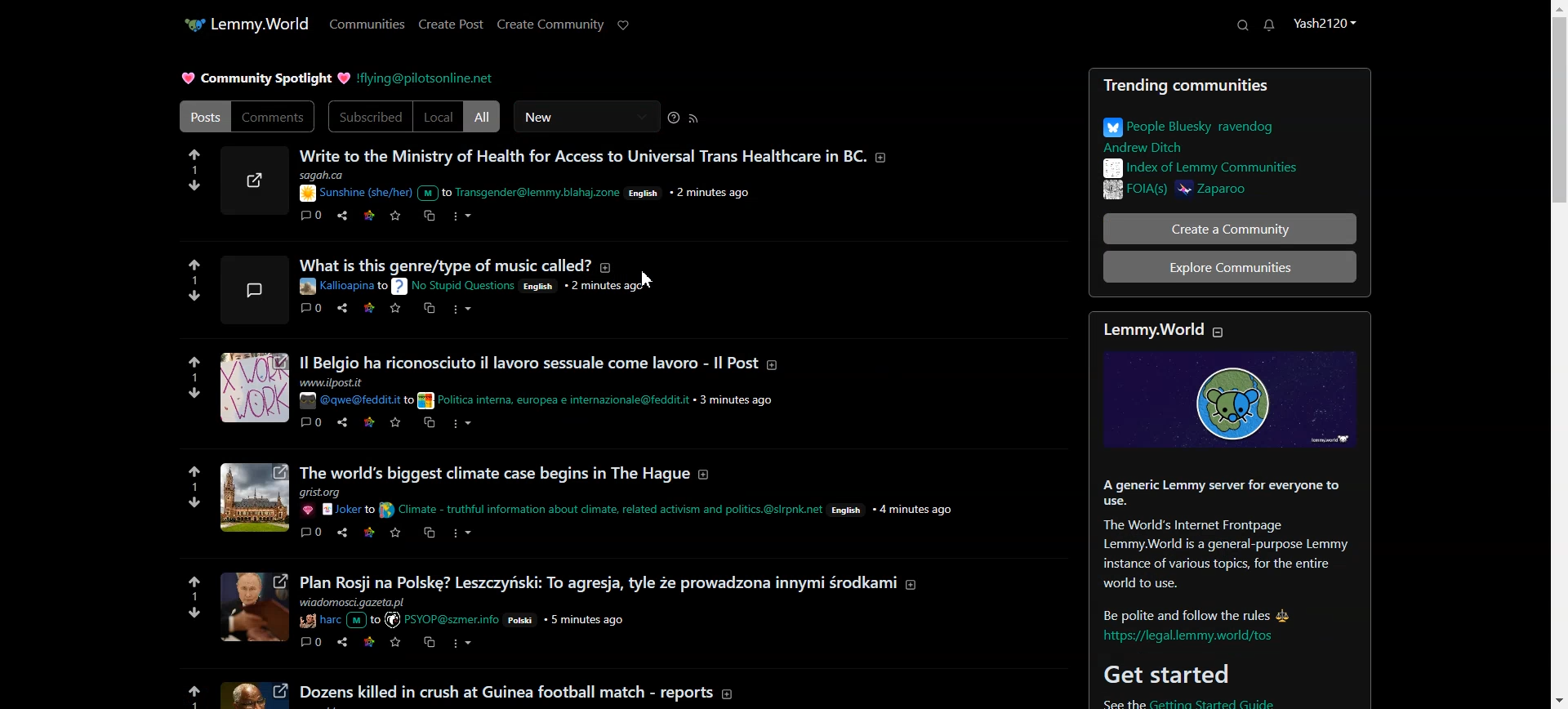 The width and height of the screenshot is (1568, 709). I want to click on Get started, so click(1165, 674).